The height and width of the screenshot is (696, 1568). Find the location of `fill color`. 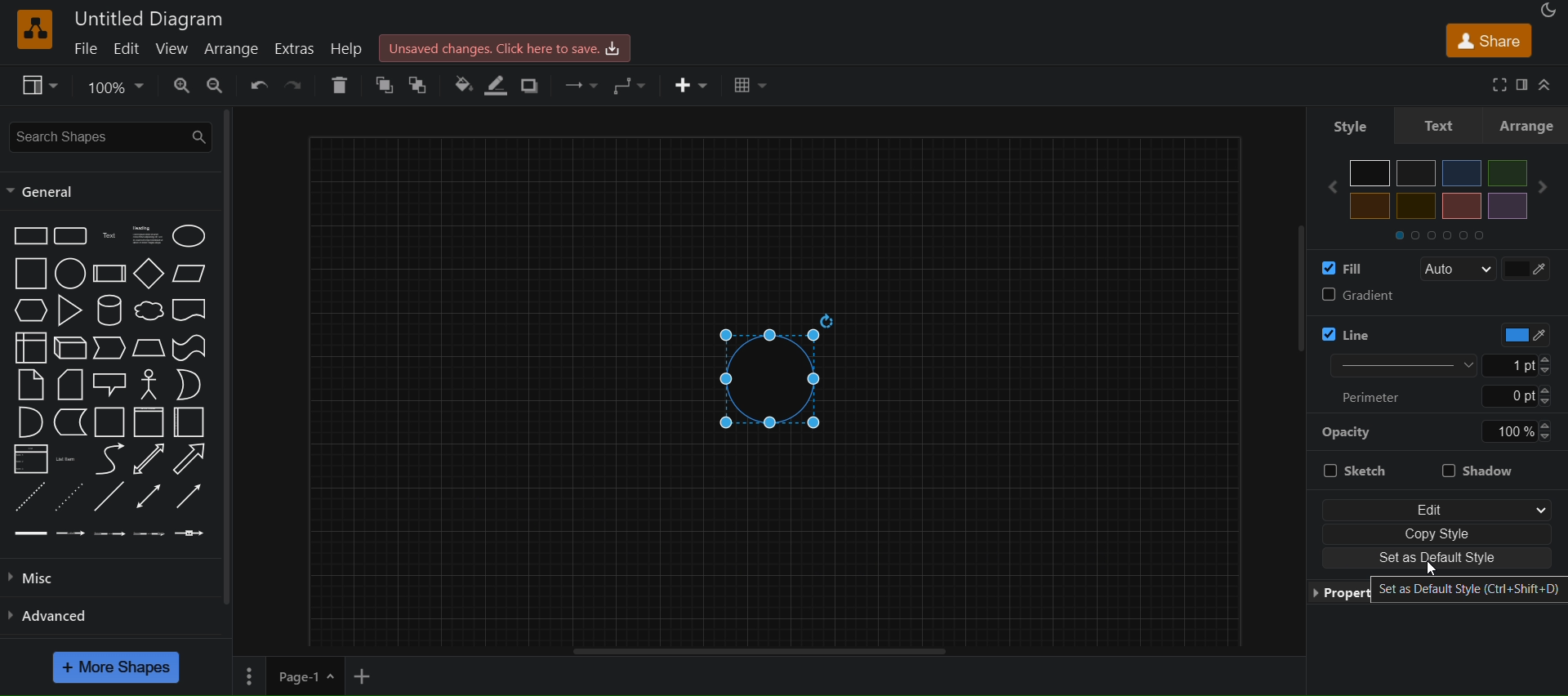

fill color is located at coordinates (1347, 269).